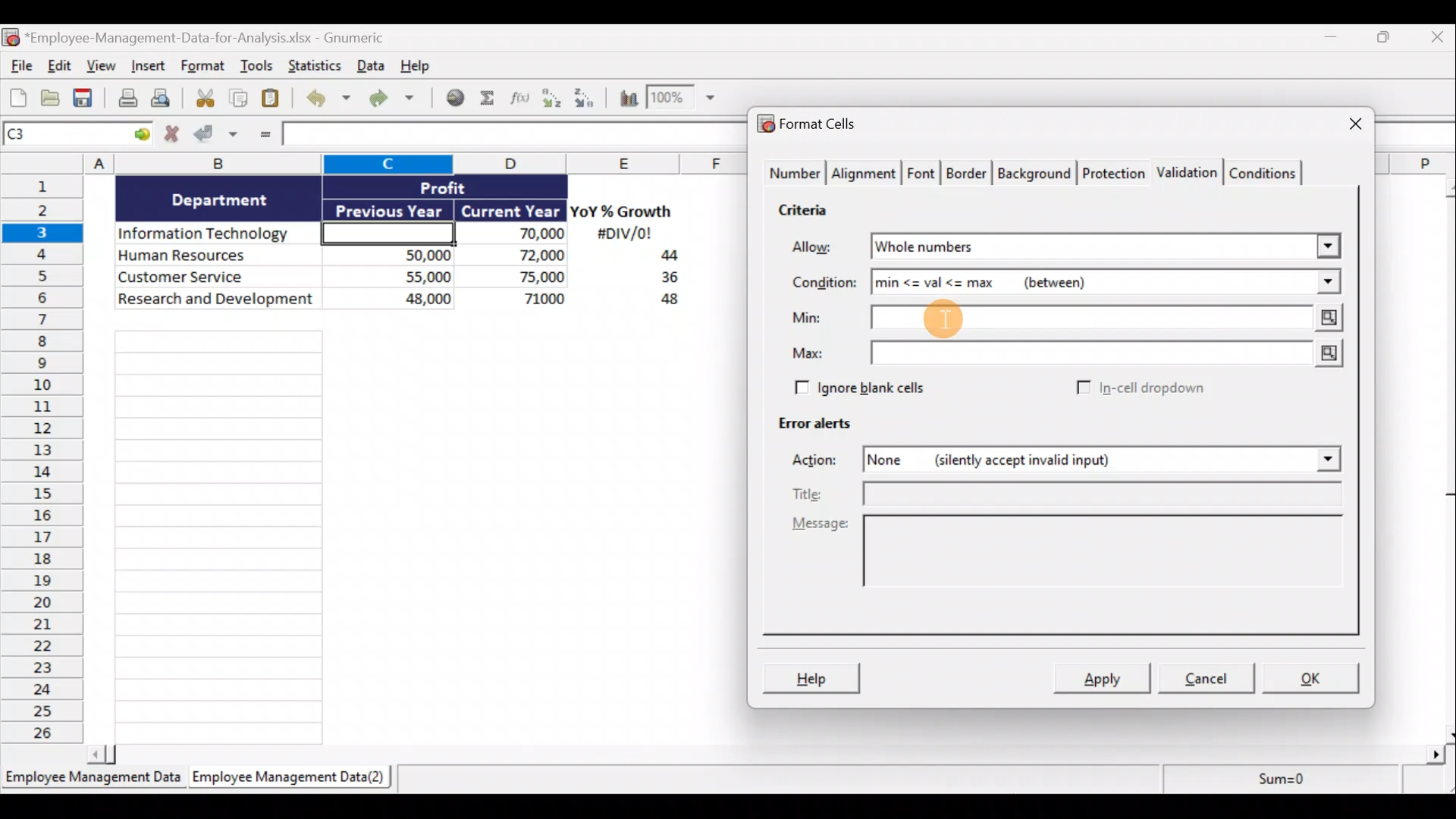  Describe the element at coordinates (1018, 247) in the screenshot. I see `Whole numbers` at that location.